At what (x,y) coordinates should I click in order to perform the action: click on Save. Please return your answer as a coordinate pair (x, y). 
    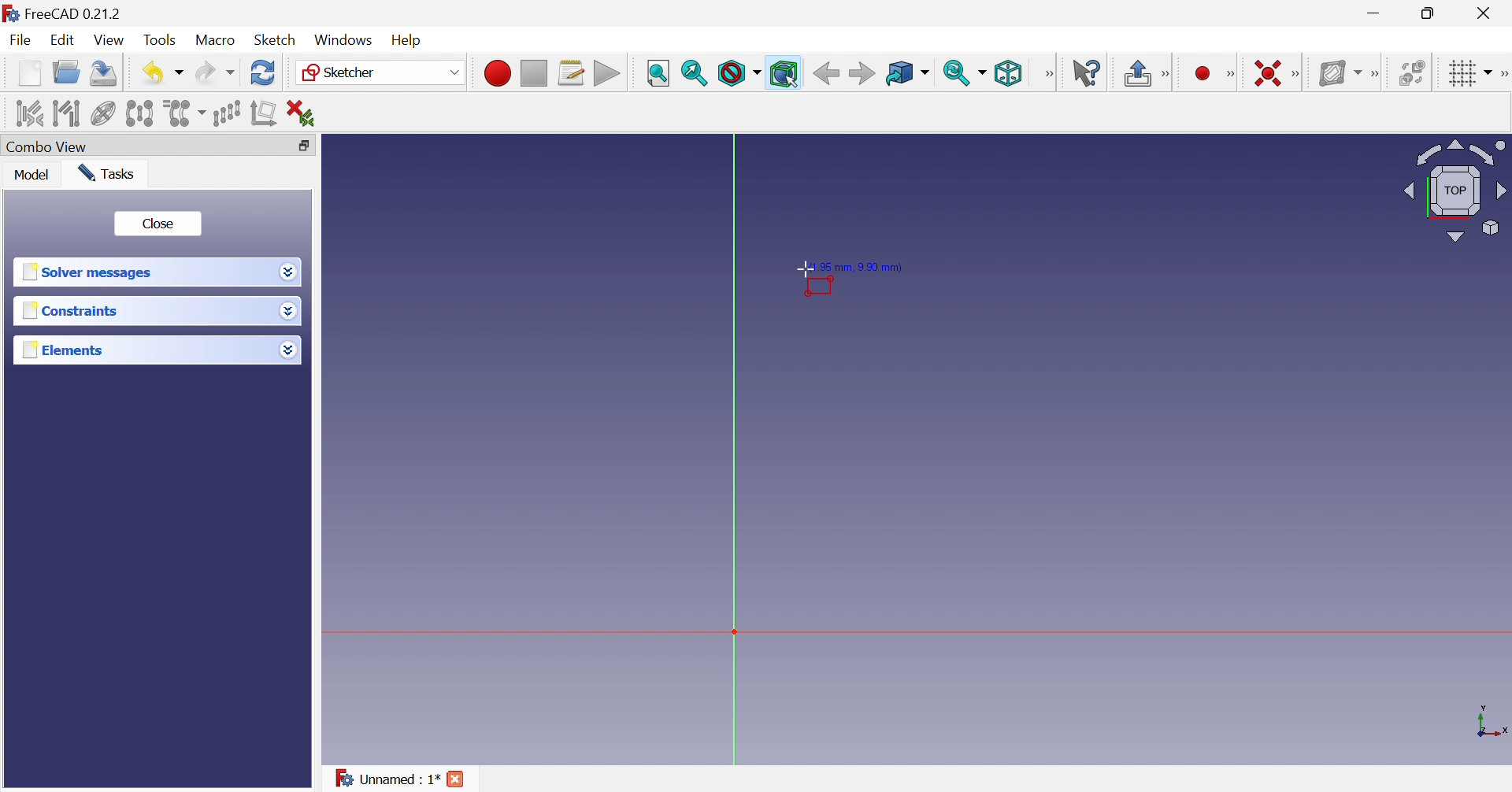
    Looking at the image, I should click on (105, 74).